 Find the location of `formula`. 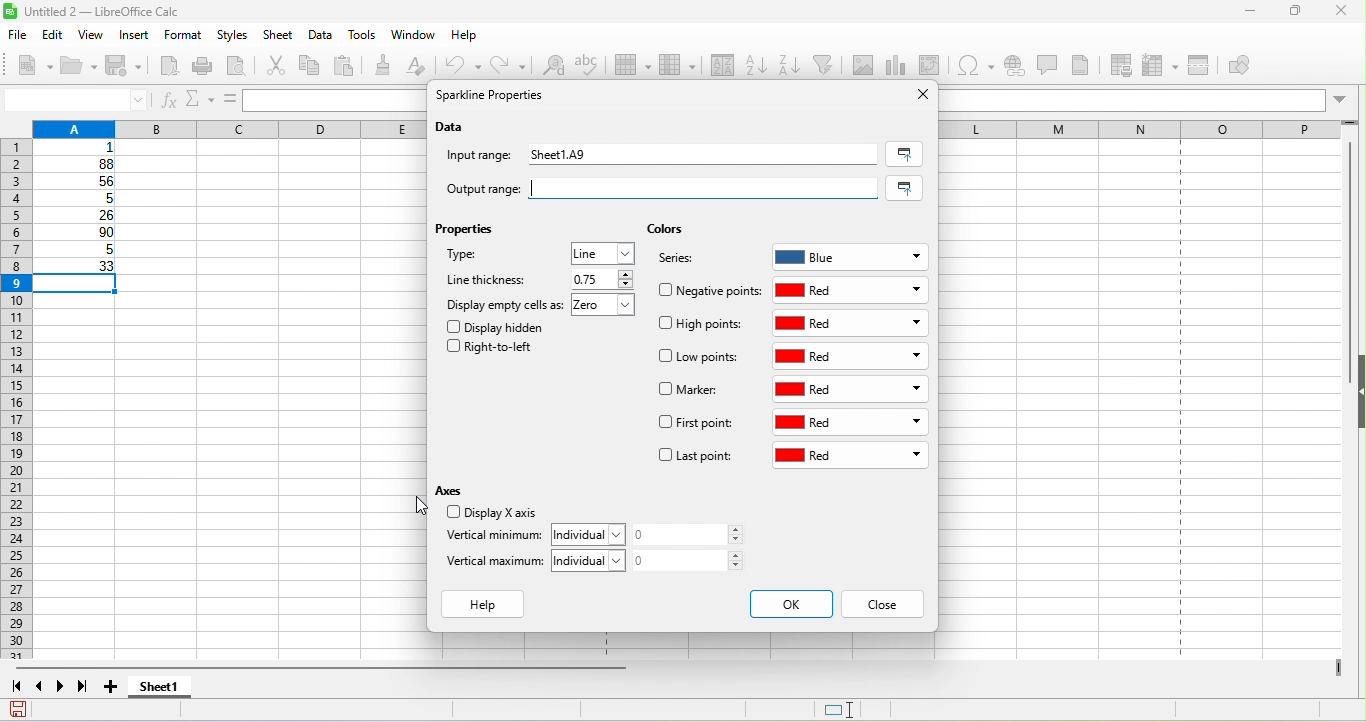

formula is located at coordinates (228, 99).